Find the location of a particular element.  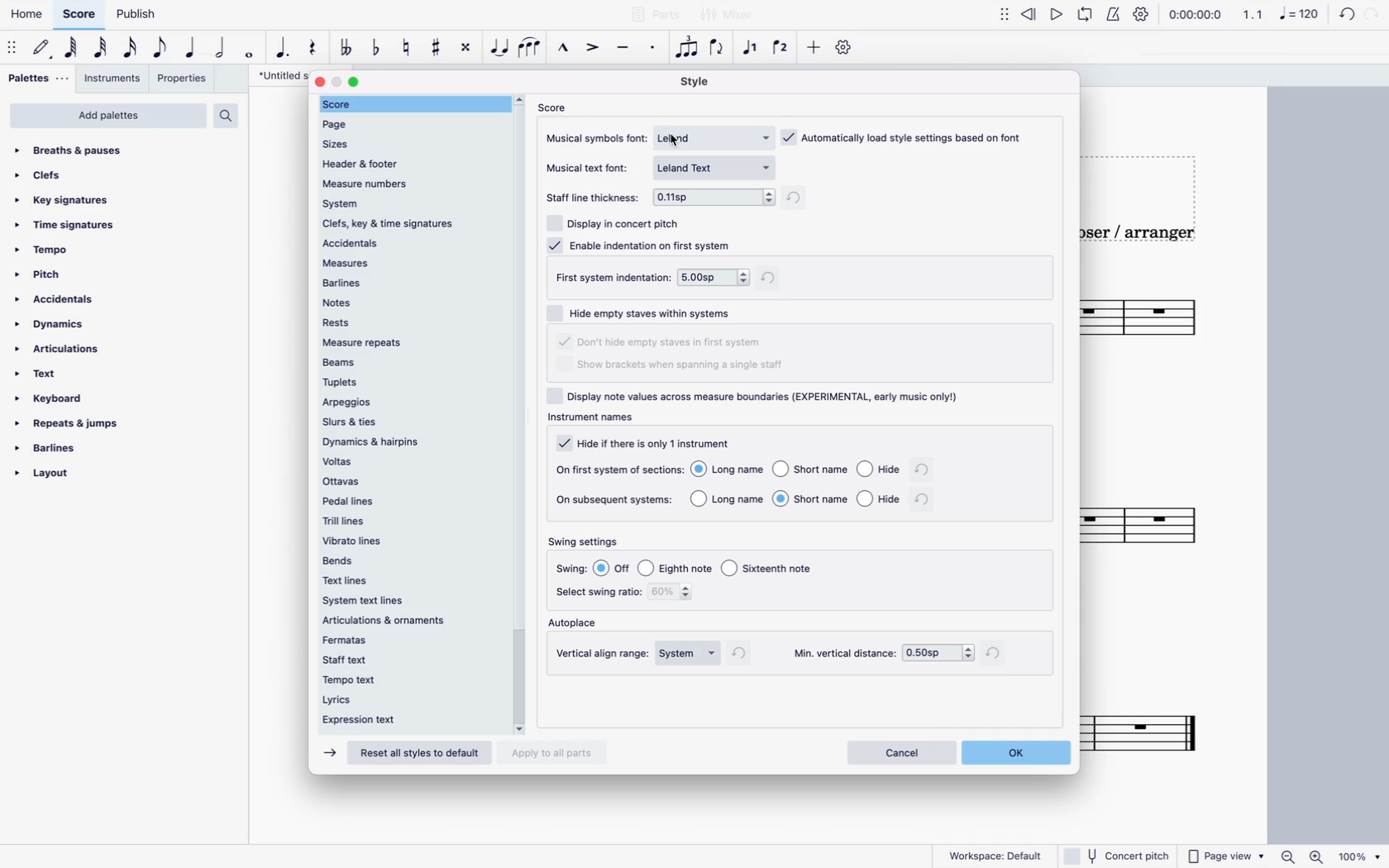

quarter note is located at coordinates (194, 51).